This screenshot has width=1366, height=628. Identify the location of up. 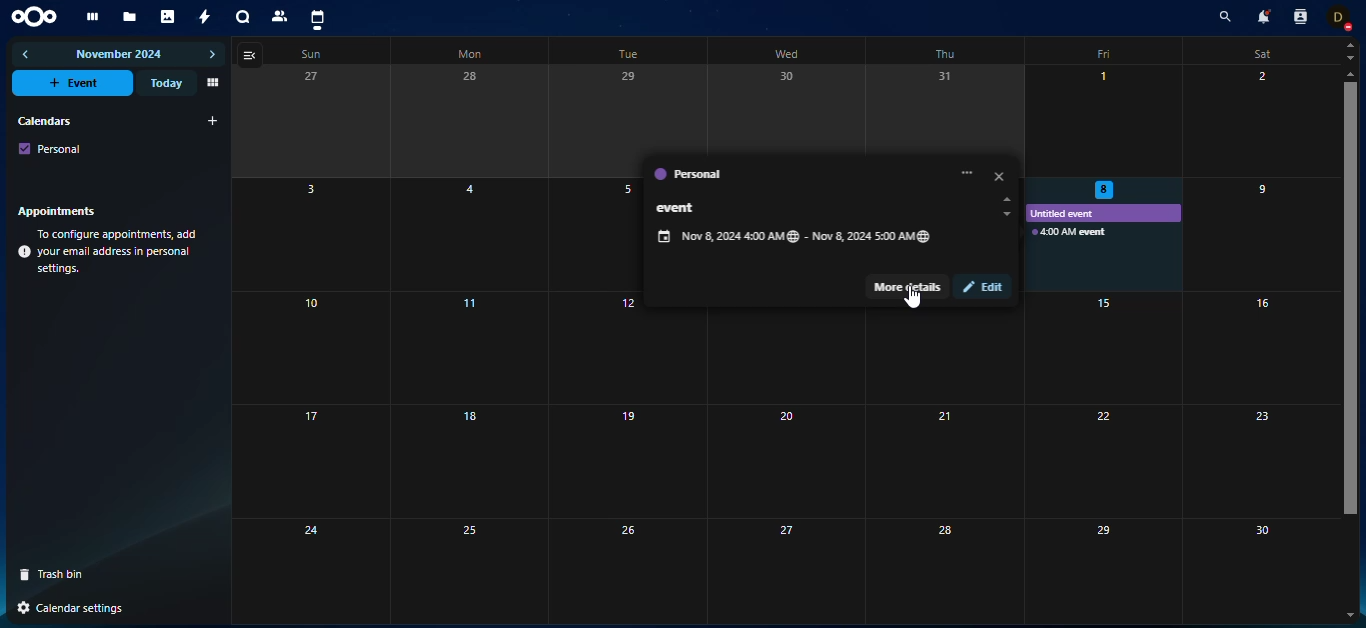
(1007, 214).